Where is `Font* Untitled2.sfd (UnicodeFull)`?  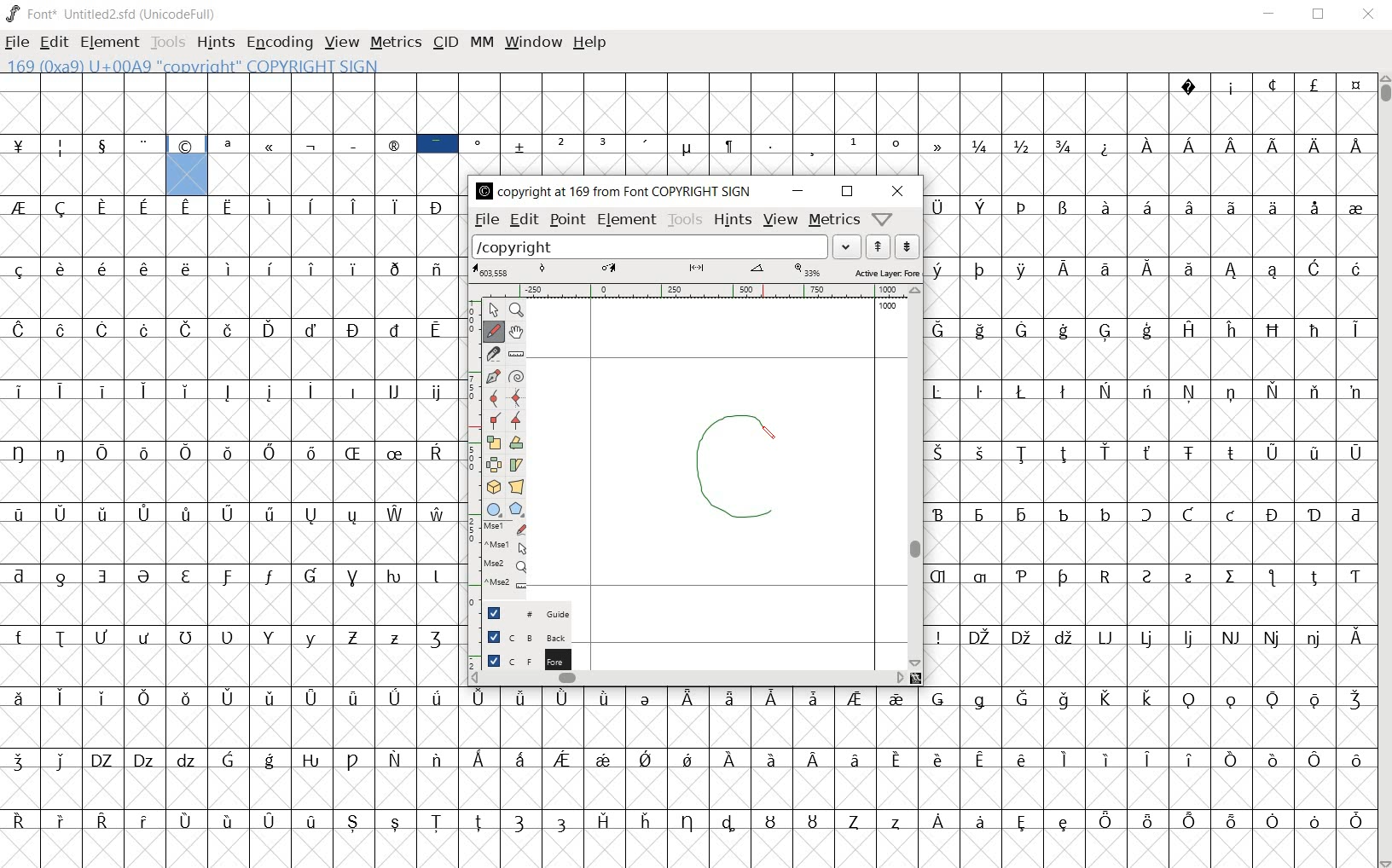 Font* Untitled2.sfd (UnicodeFull) is located at coordinates (113, 14).